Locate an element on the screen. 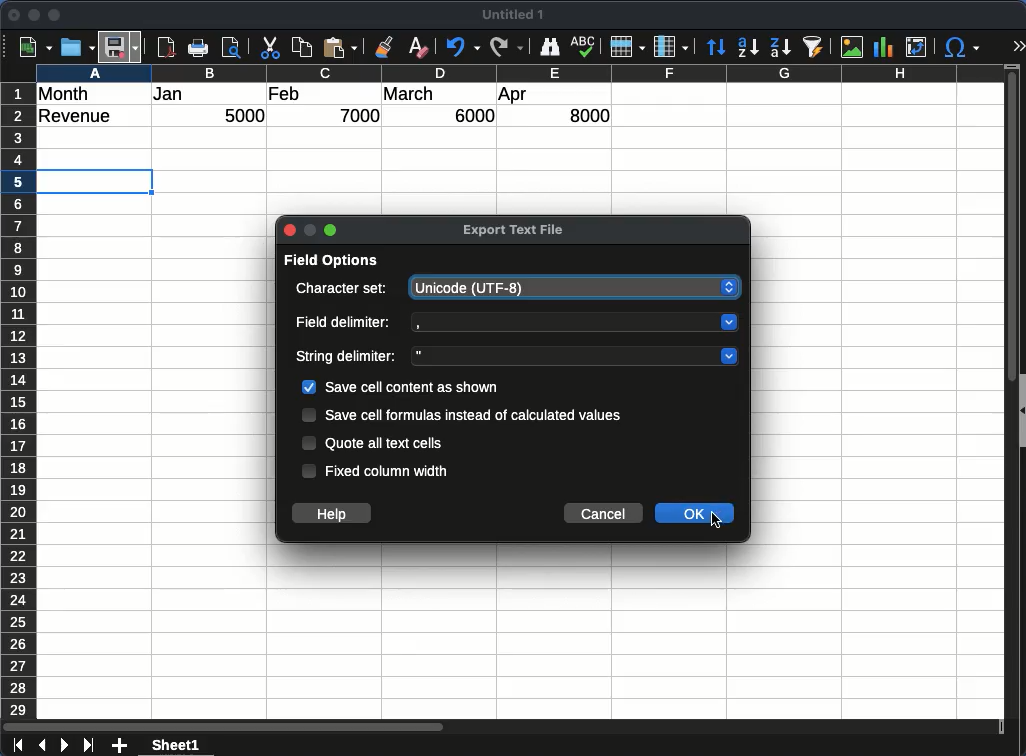 Image resolution: width=1026 pixels, height=756 pixels. quote all text cells is located at coordinates (386, 445).